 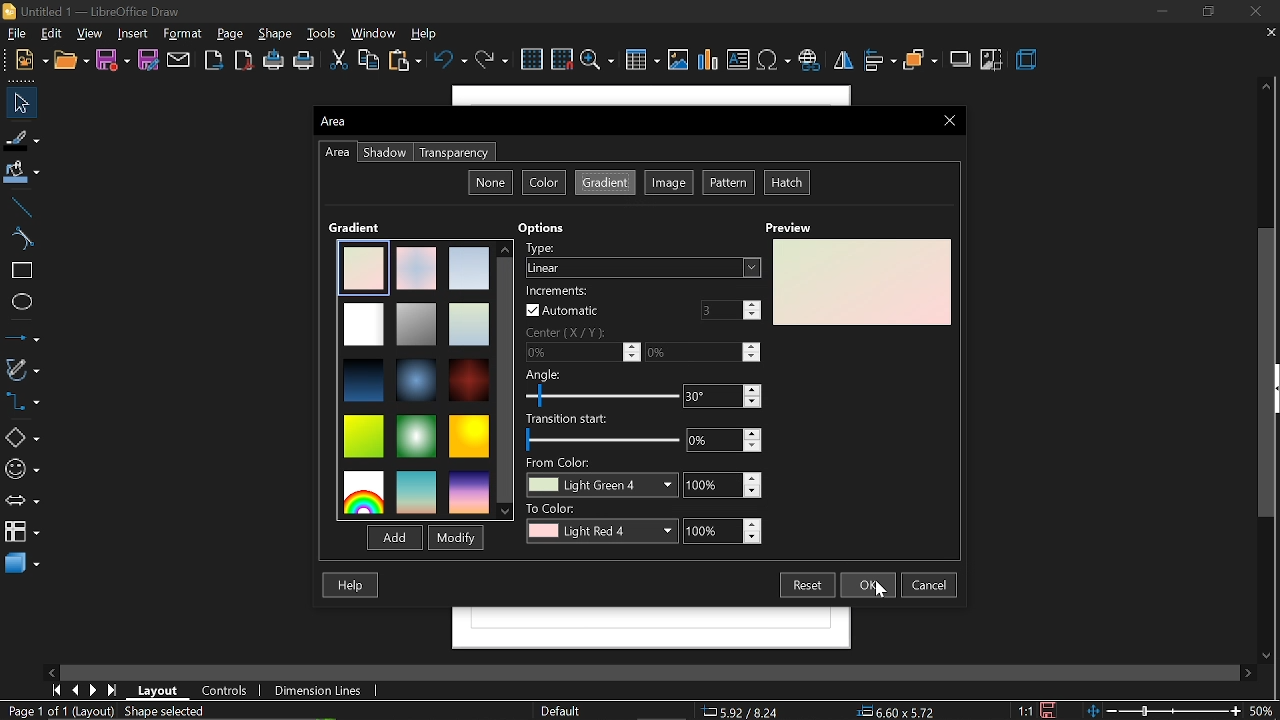 I want to click on help, so click(x=430, y=34).